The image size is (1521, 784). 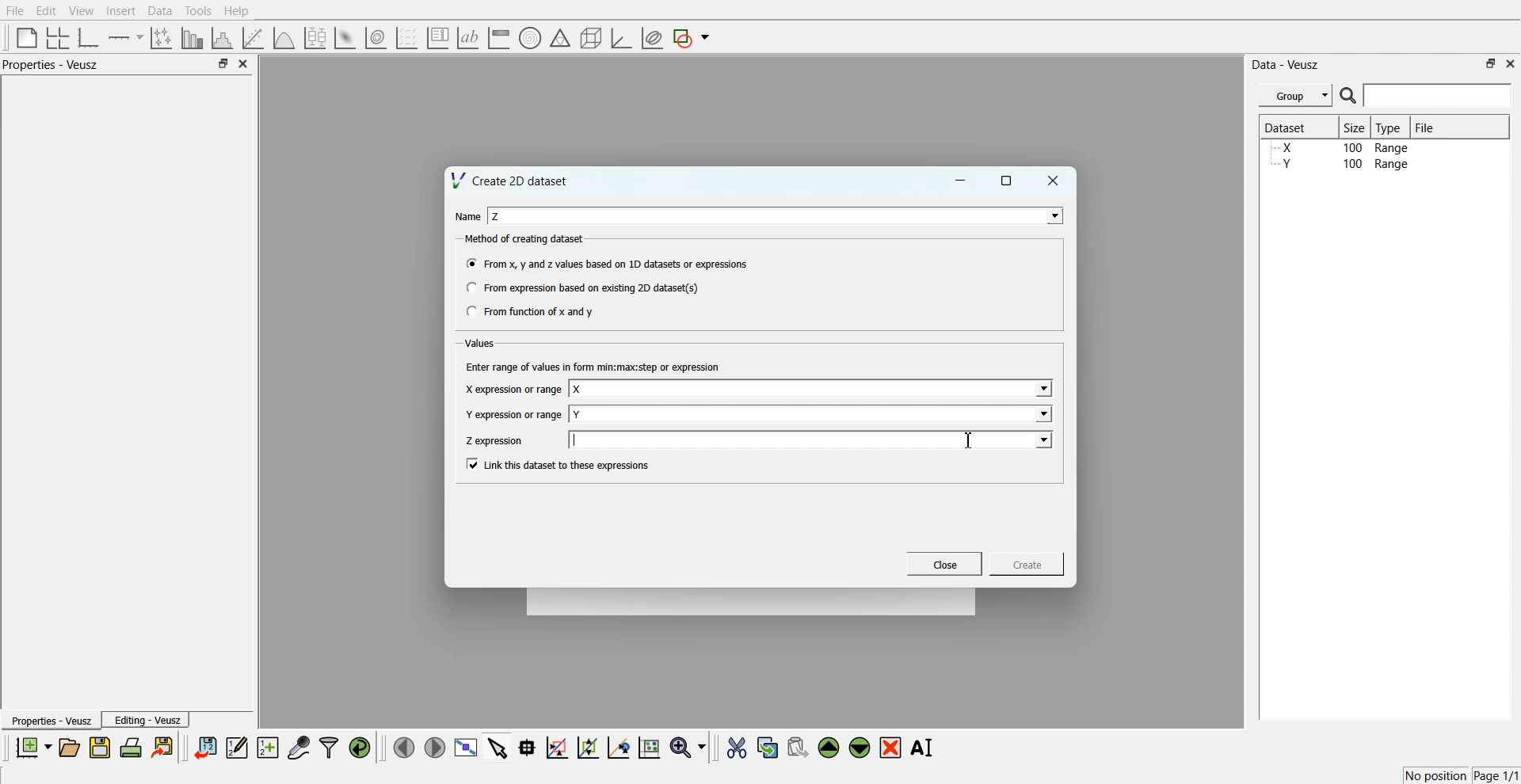 I want to click on Properties - Veusz, so click(x=51, y=64).